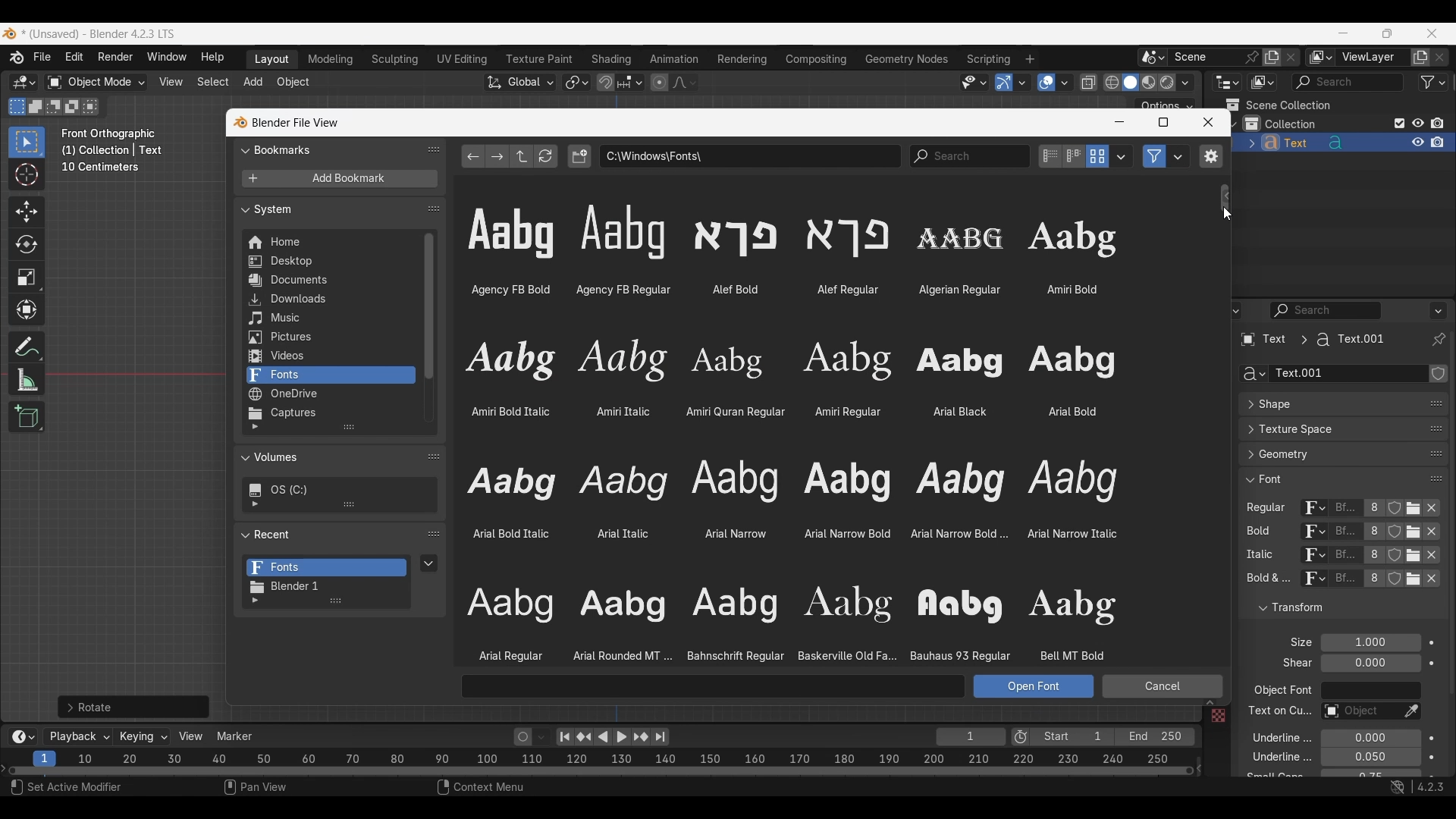 The width and height of the screenshot is (1456, 819). What do you see at coordinates (1436, 510) in the screenshot?
I see `Unlink respective attribute` at bounding box center [1436, 510].